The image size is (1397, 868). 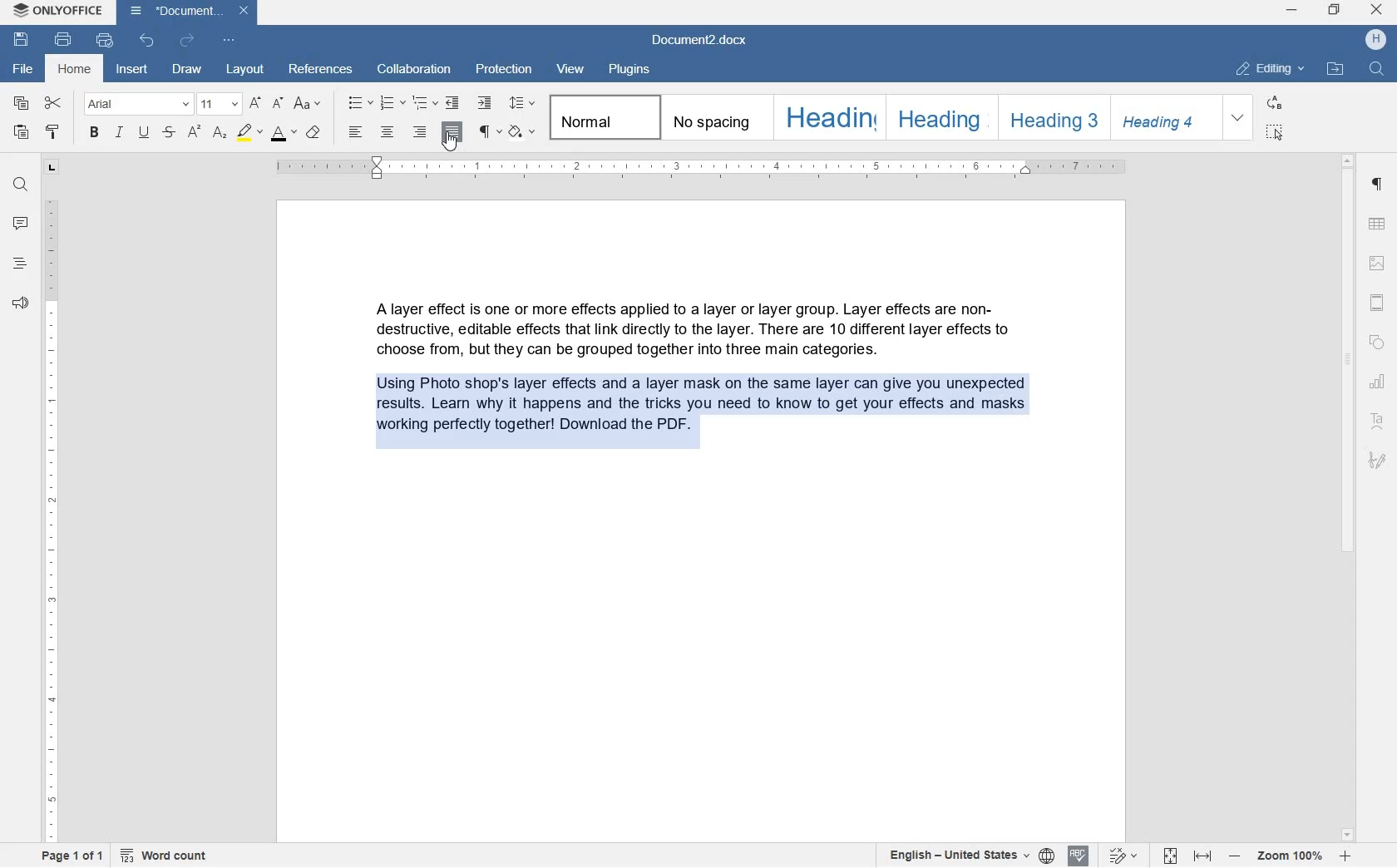 What do you see at coordinates (523, 102) in the screenshot?
I see `PARAGRAPH LINE SPACING` at bounding box center [523, 102].